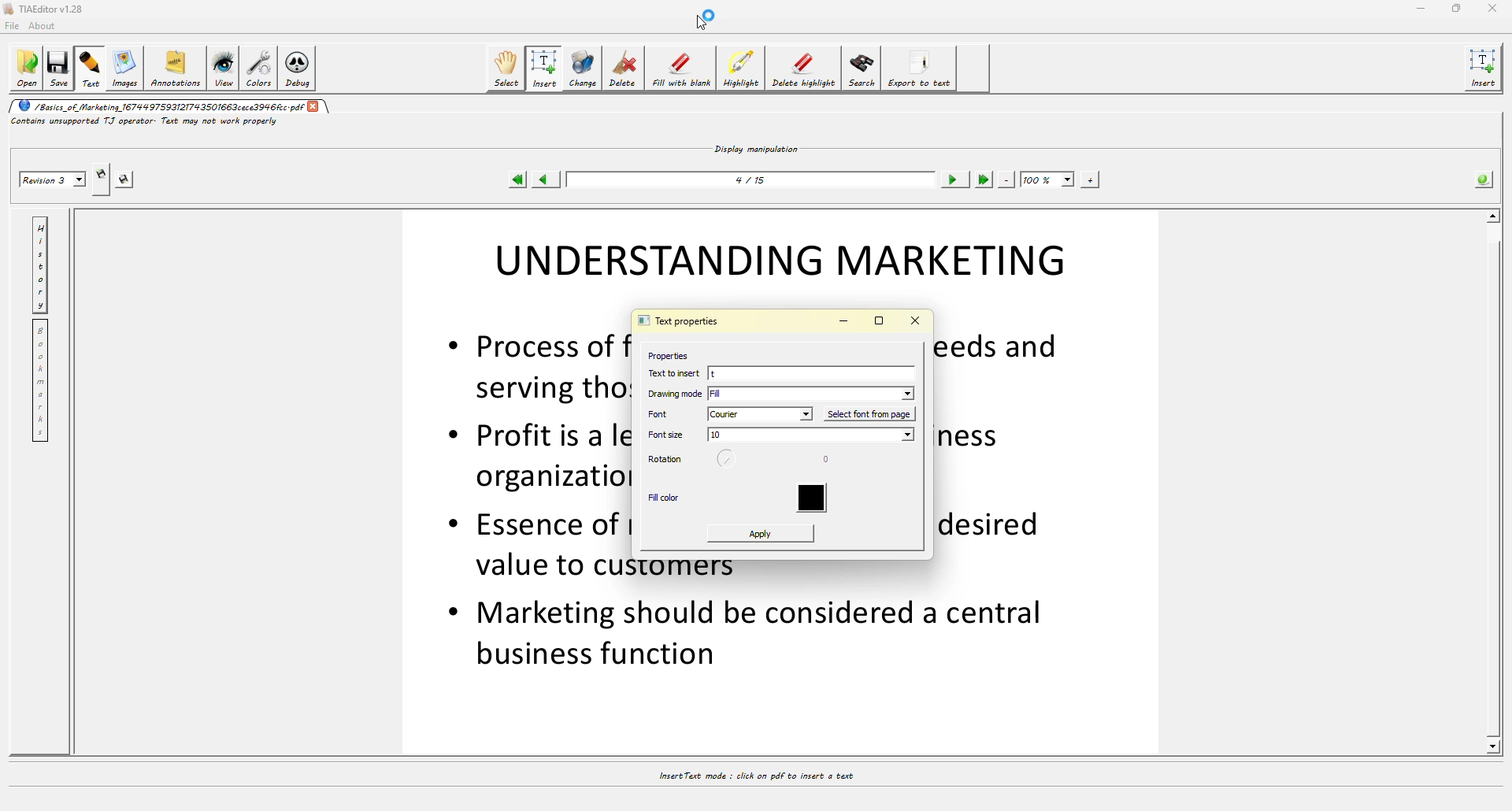  What do you see at coordinates (1047, 179) in the screenshot?
I see `100%` at bounding box center [1047, 179].